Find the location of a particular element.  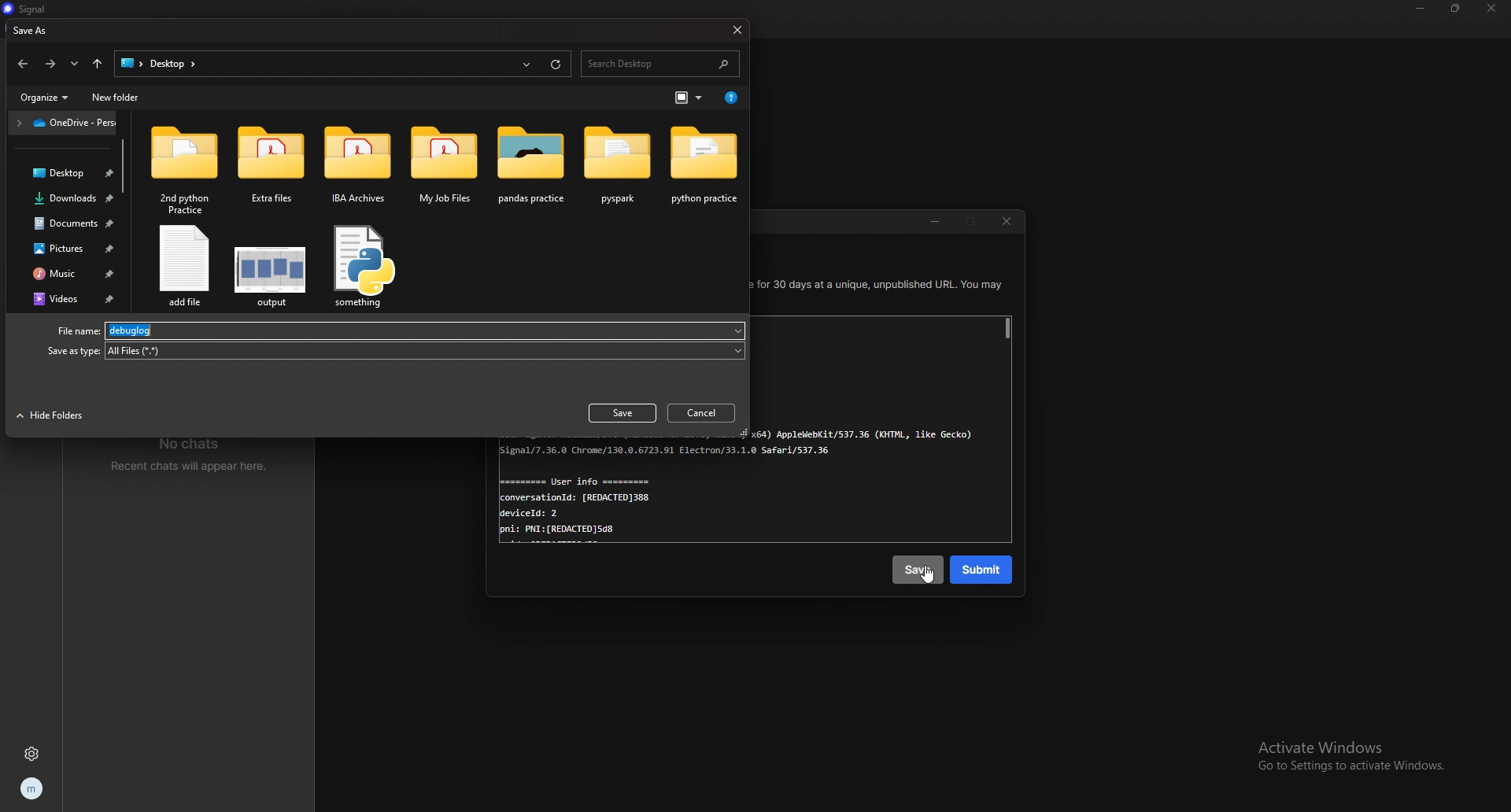

photo is located at coordinates (271, 268).